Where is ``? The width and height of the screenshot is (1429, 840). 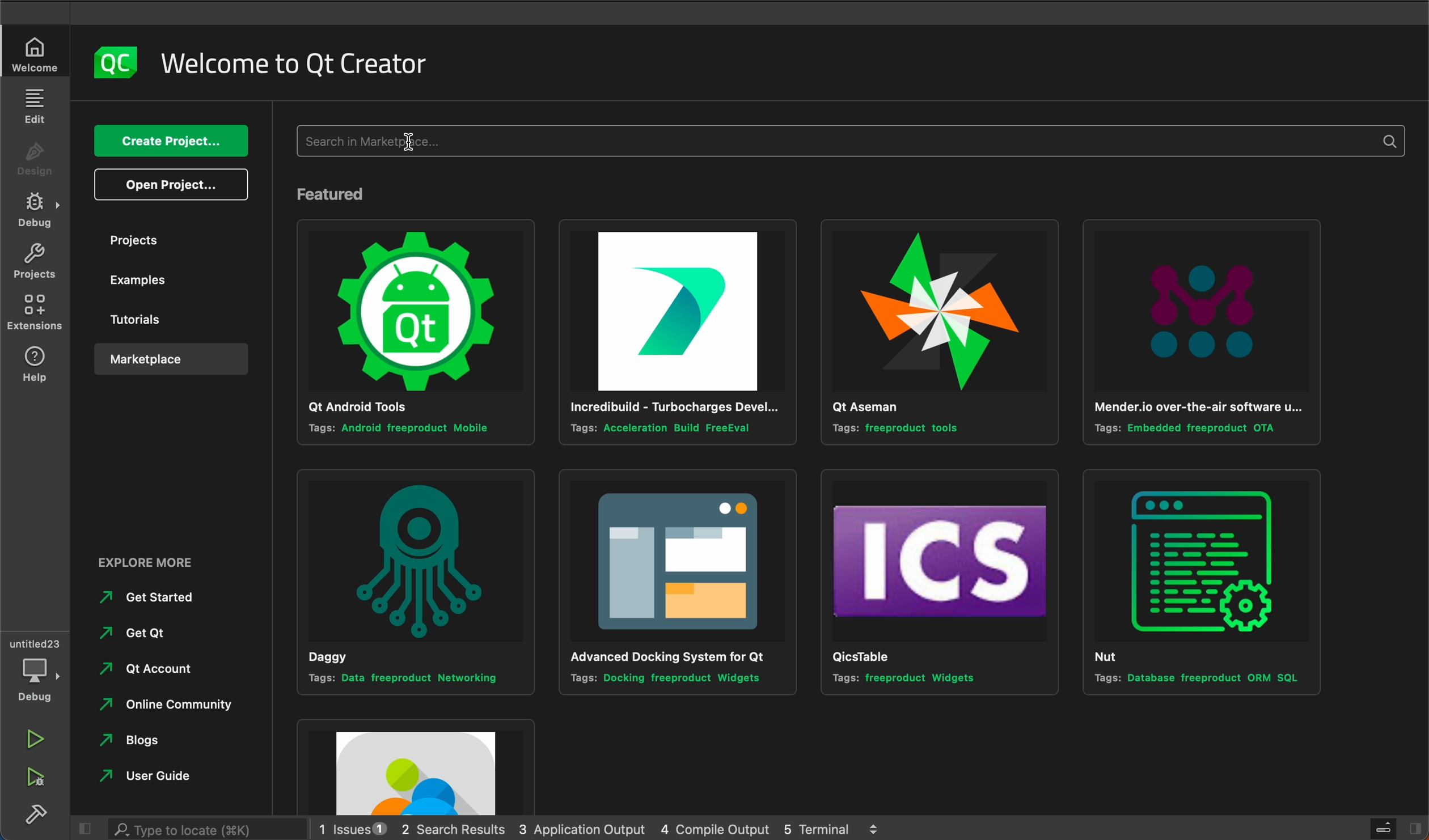
 is located at coordinates (413, 330).